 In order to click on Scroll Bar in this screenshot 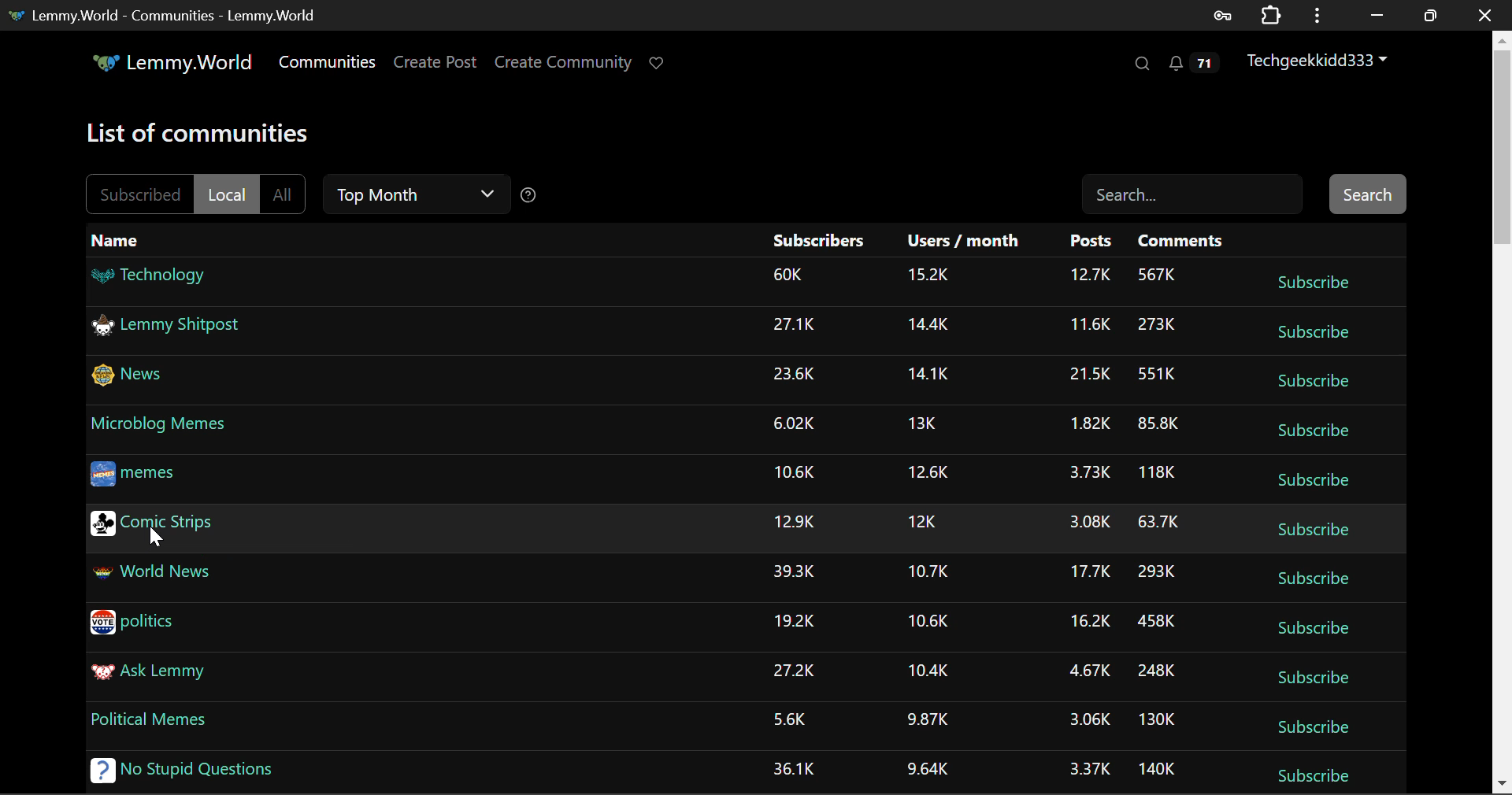, I will do `click(1503, 411)`.